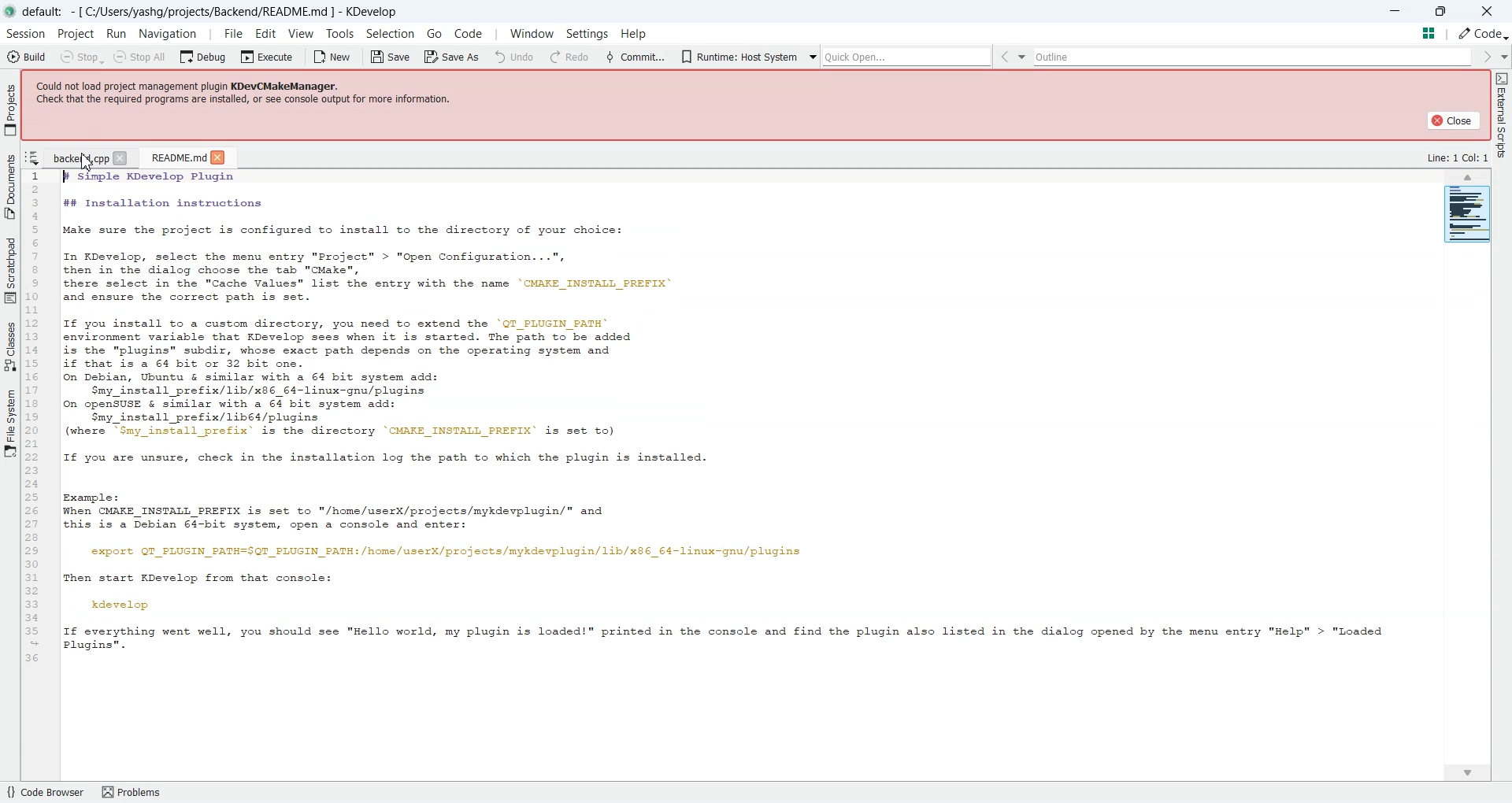 This screenshot has width=1512, height=803. Describe the element at coordinates (1469, 177) in the screenshot. I see `Scroll up` at that location.